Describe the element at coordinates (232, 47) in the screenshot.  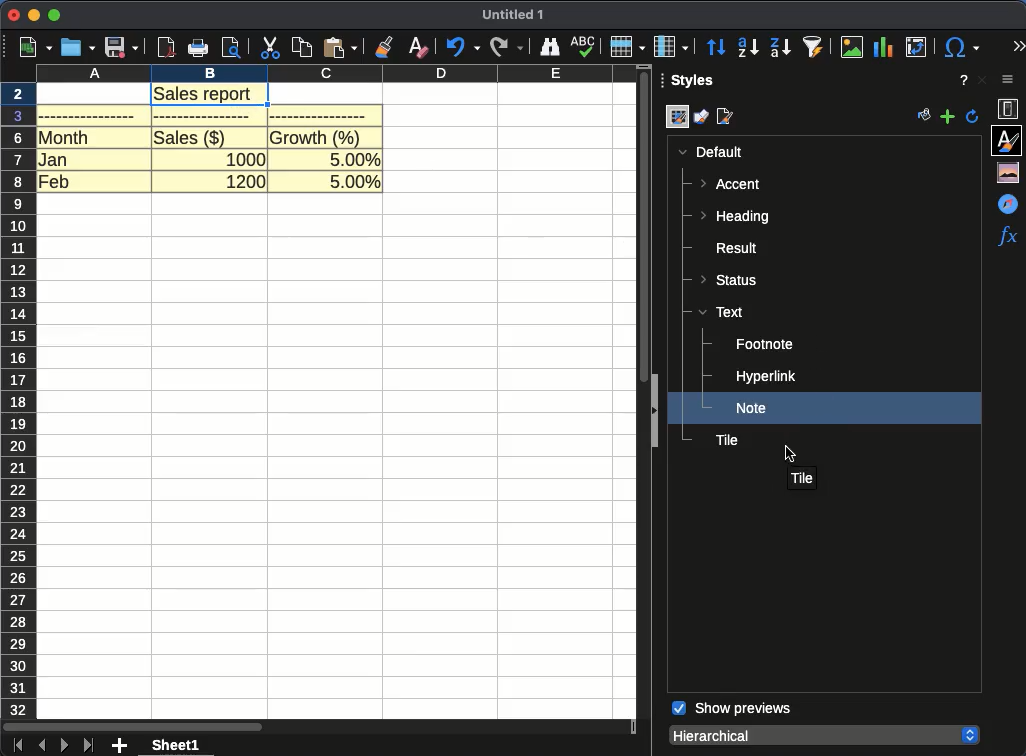
I see `print preview` at that location.